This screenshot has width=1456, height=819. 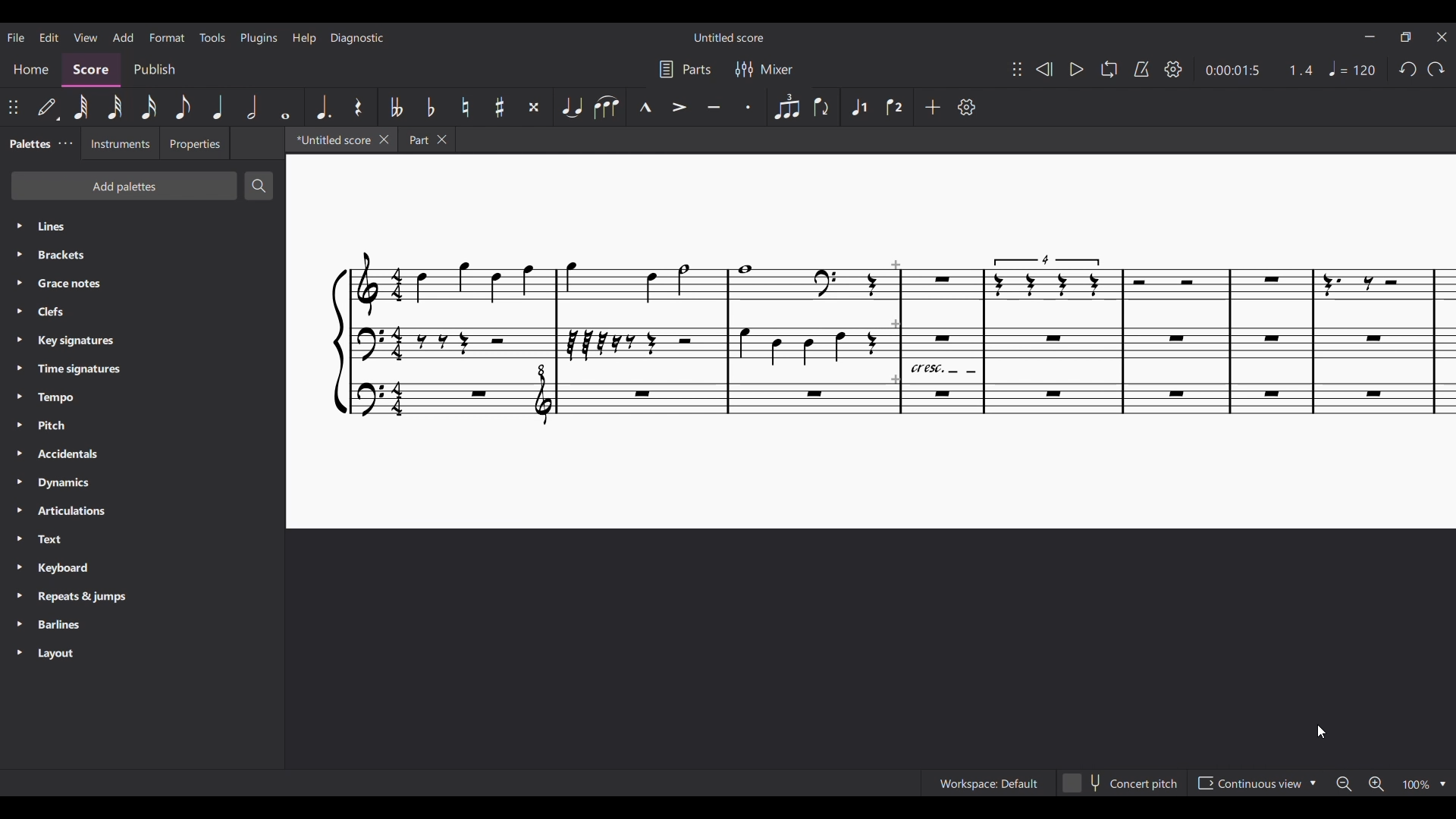 I want to click on Plugins menu, so click(x=259, y=38).